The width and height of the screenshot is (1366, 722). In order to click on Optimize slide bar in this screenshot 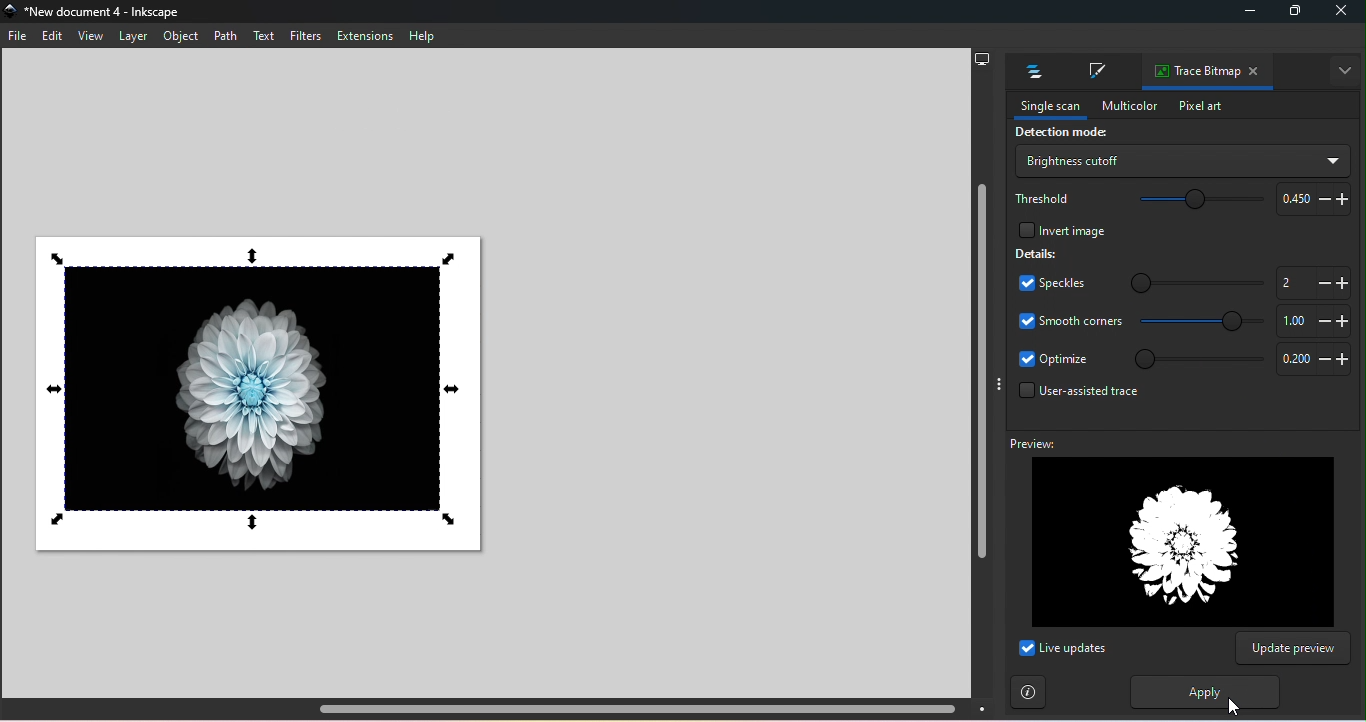, I will do `click(1193, 359)`.